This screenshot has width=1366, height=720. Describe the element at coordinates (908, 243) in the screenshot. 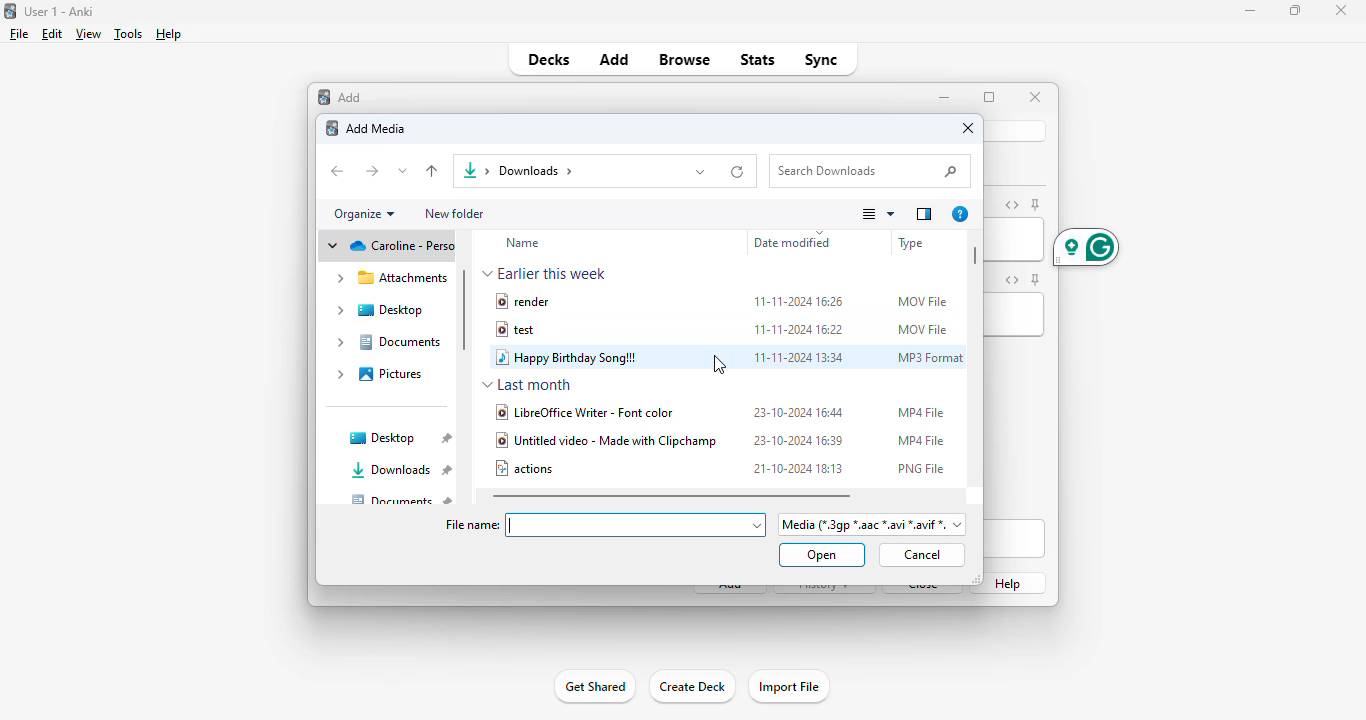

I see `file type` at that location.